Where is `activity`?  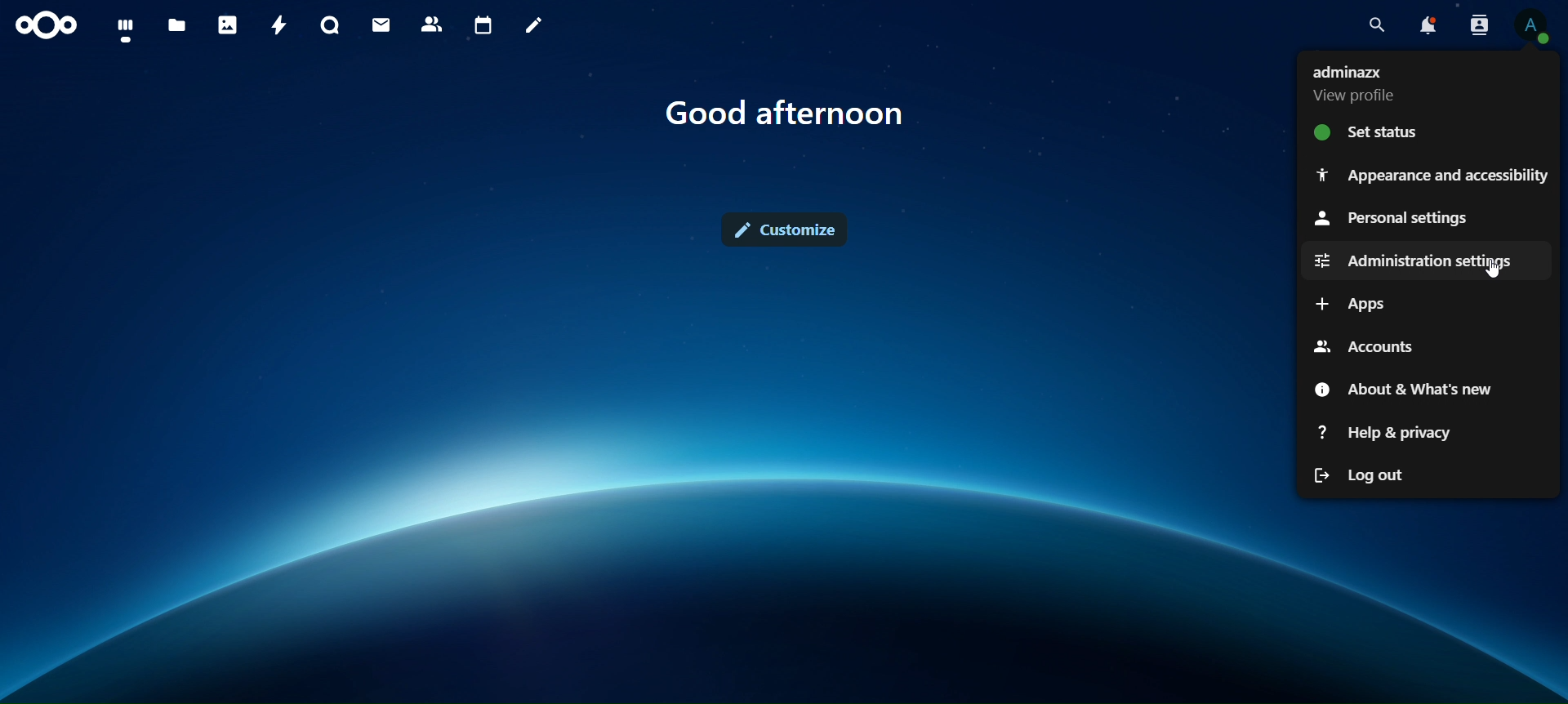 activity is located at coordinates (278, 26).